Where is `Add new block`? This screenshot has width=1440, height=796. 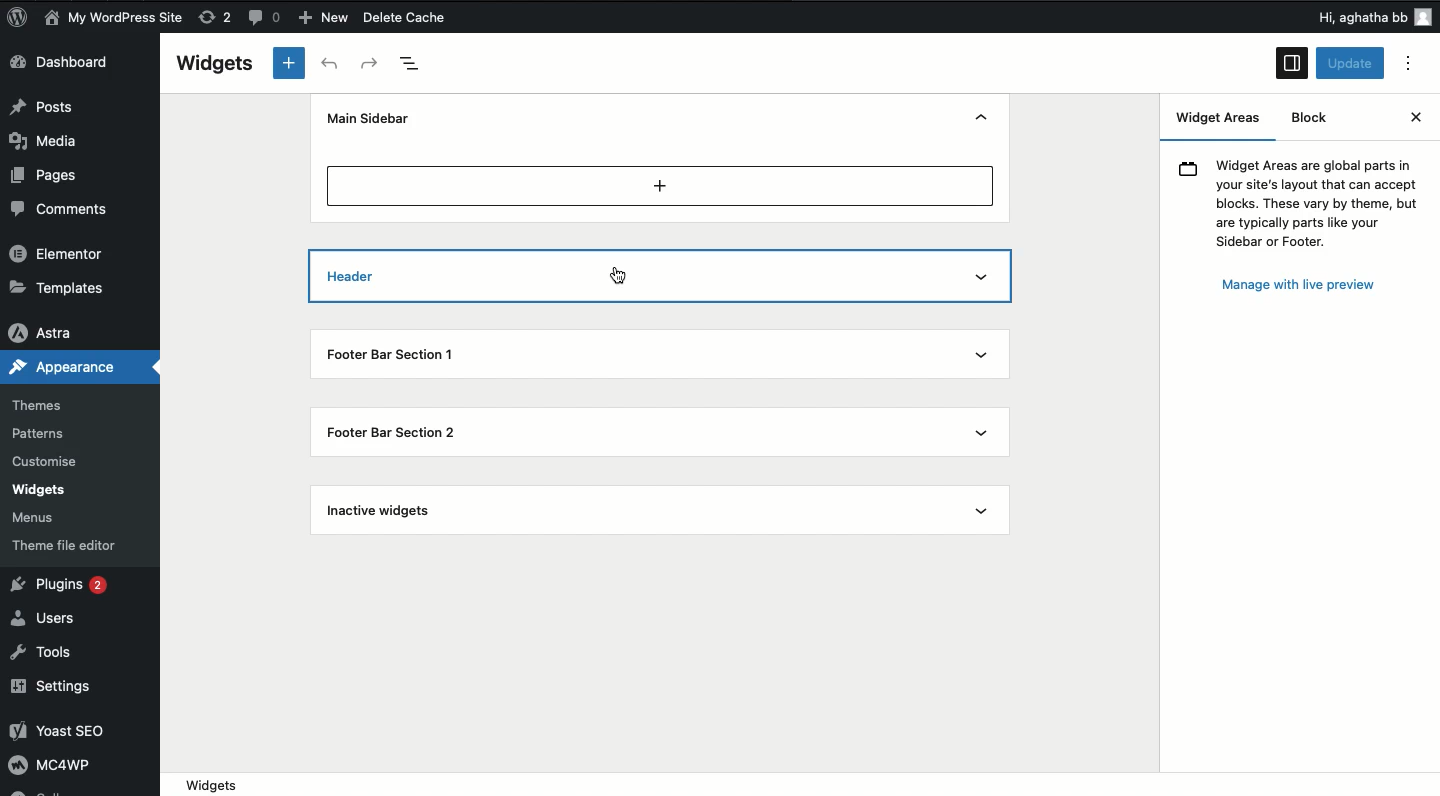 Add new block is located at coordinates (288, 64).